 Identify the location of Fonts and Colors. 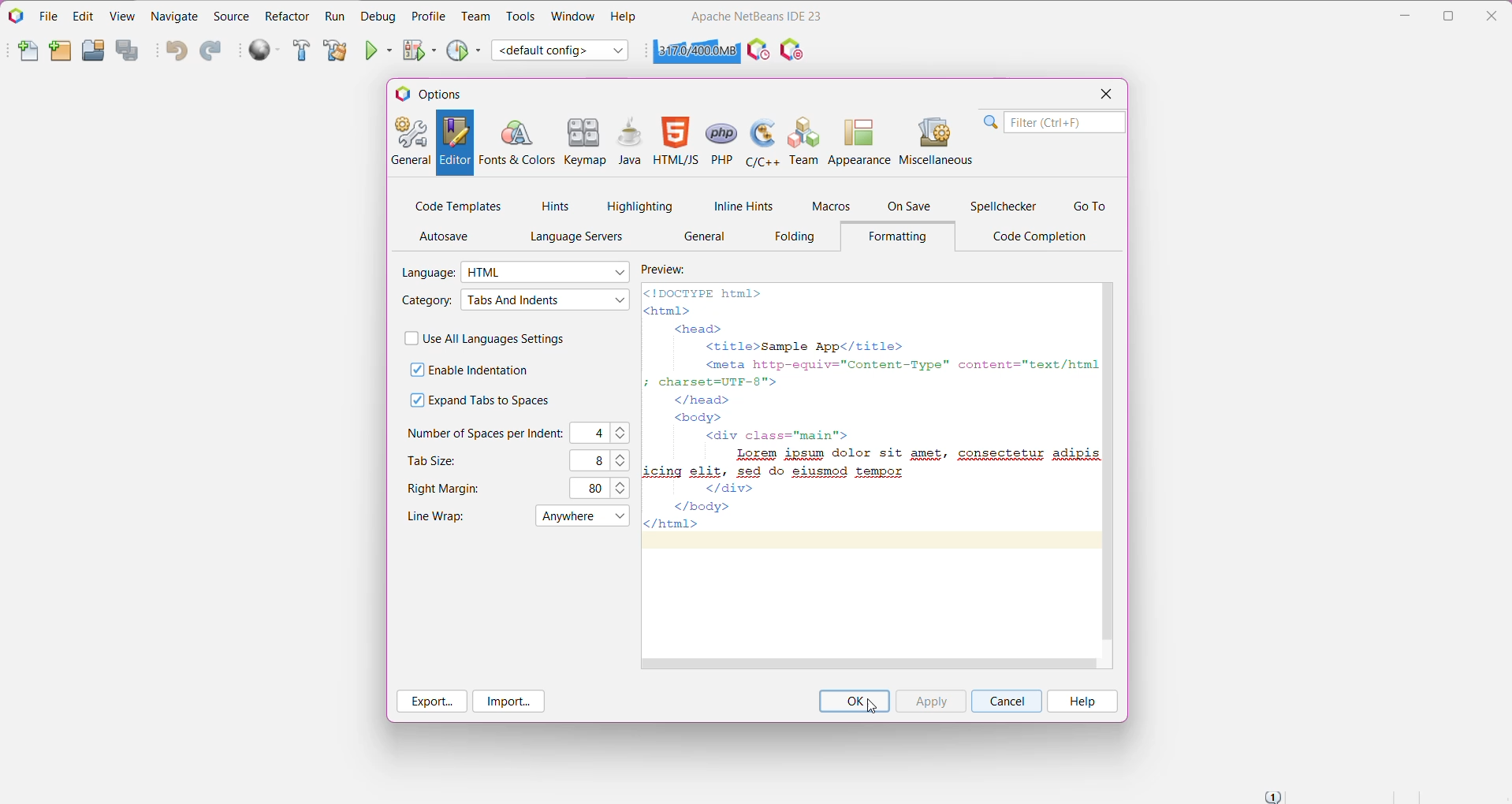
(516, 143).